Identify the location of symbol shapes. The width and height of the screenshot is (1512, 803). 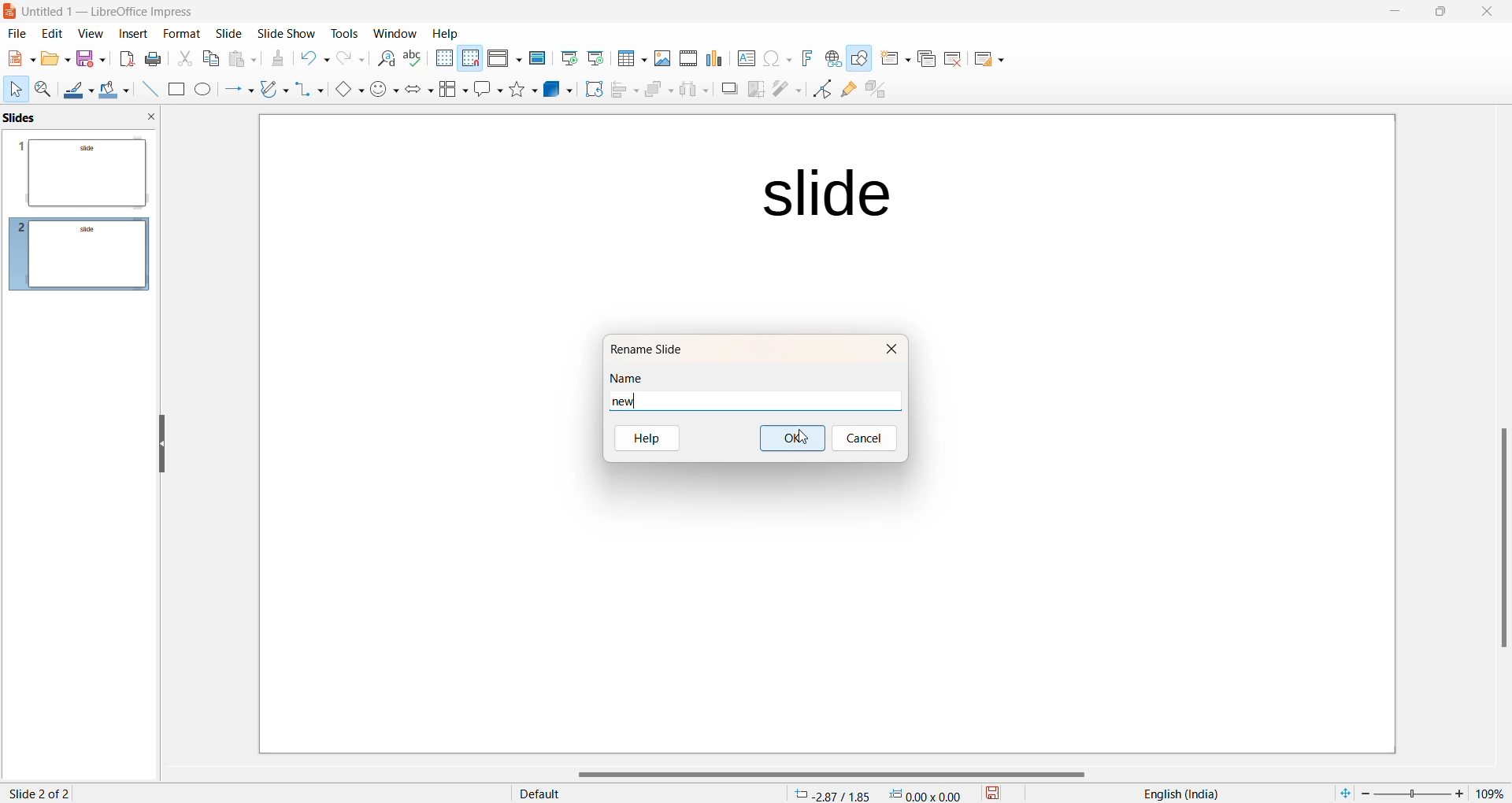
(384, 90).